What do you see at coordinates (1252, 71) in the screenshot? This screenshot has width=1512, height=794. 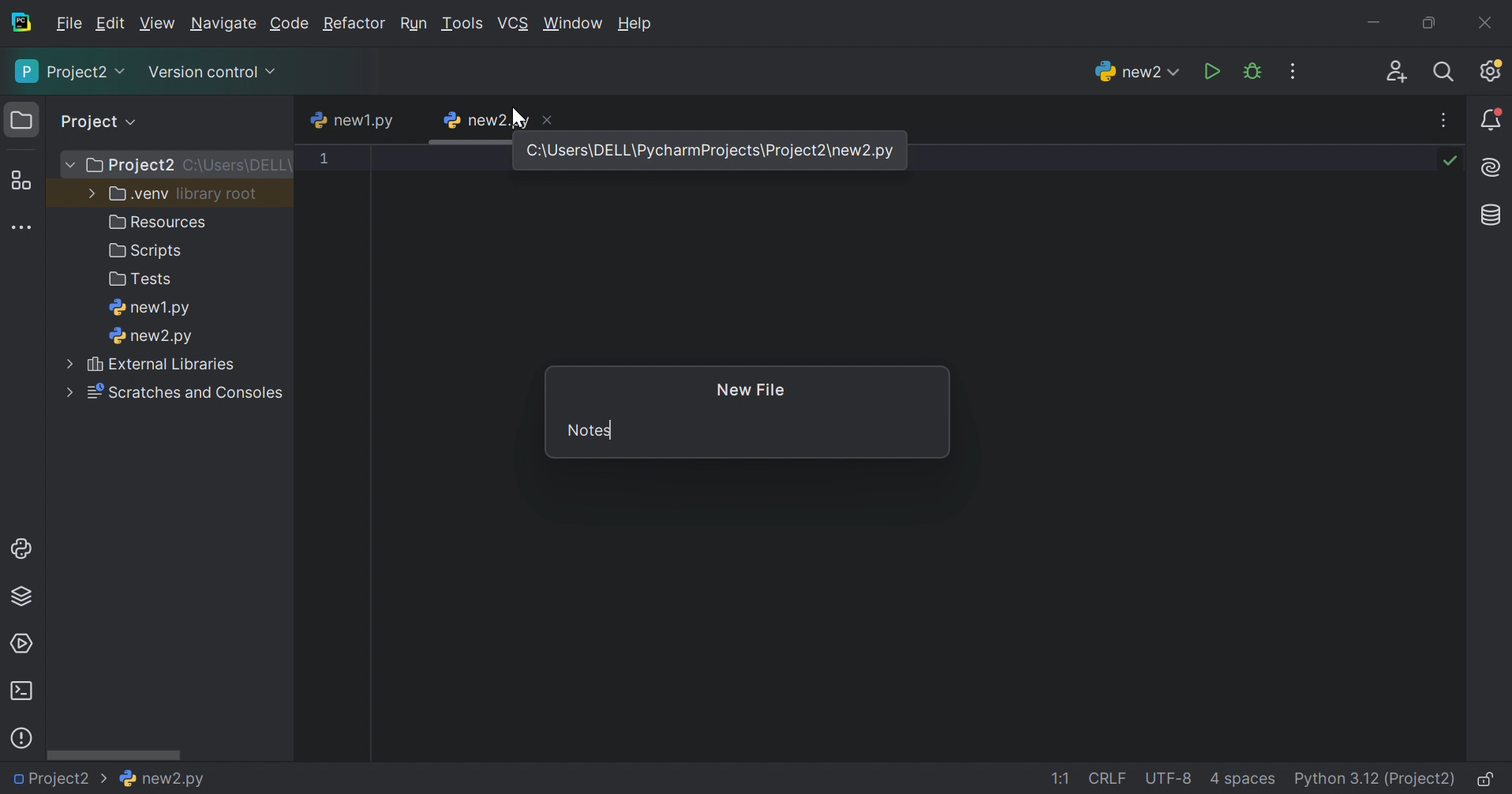 I see `Debug` at bounding box center [1252, 71].